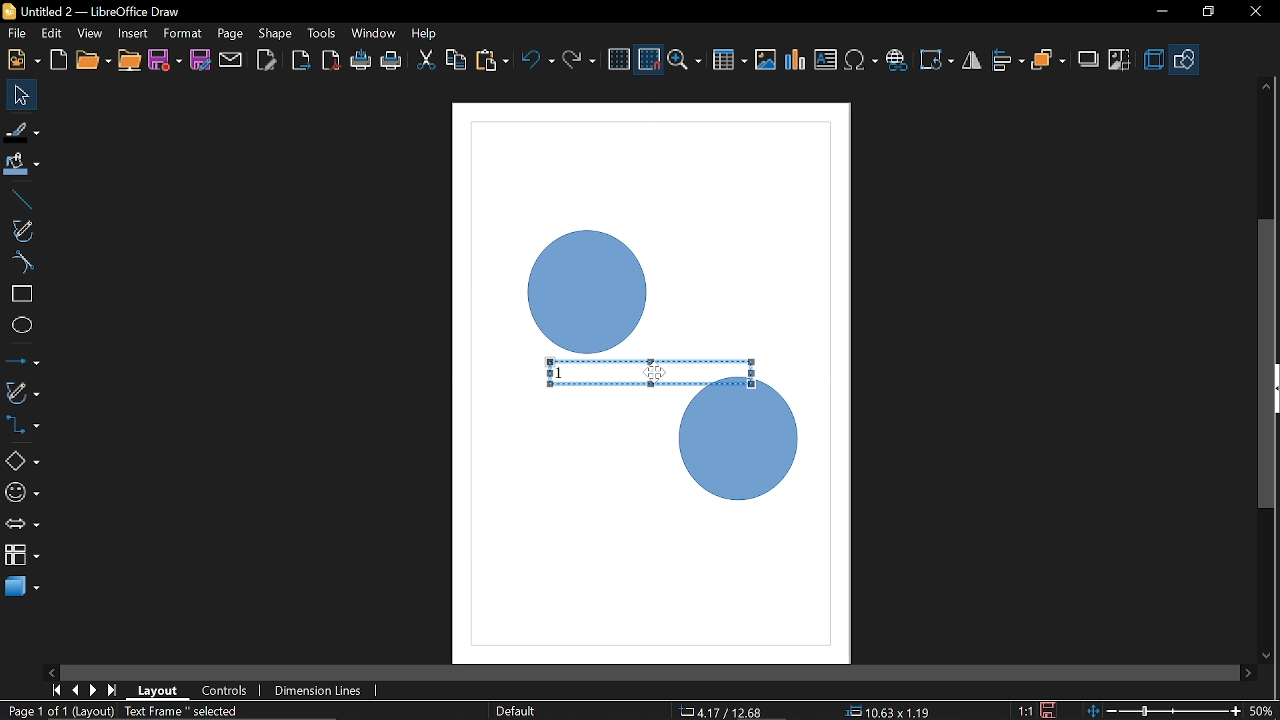  What do you see at coordinates (1120, 61) in the screenshot?
I see `crop image` at bounding box center [1120, 61].